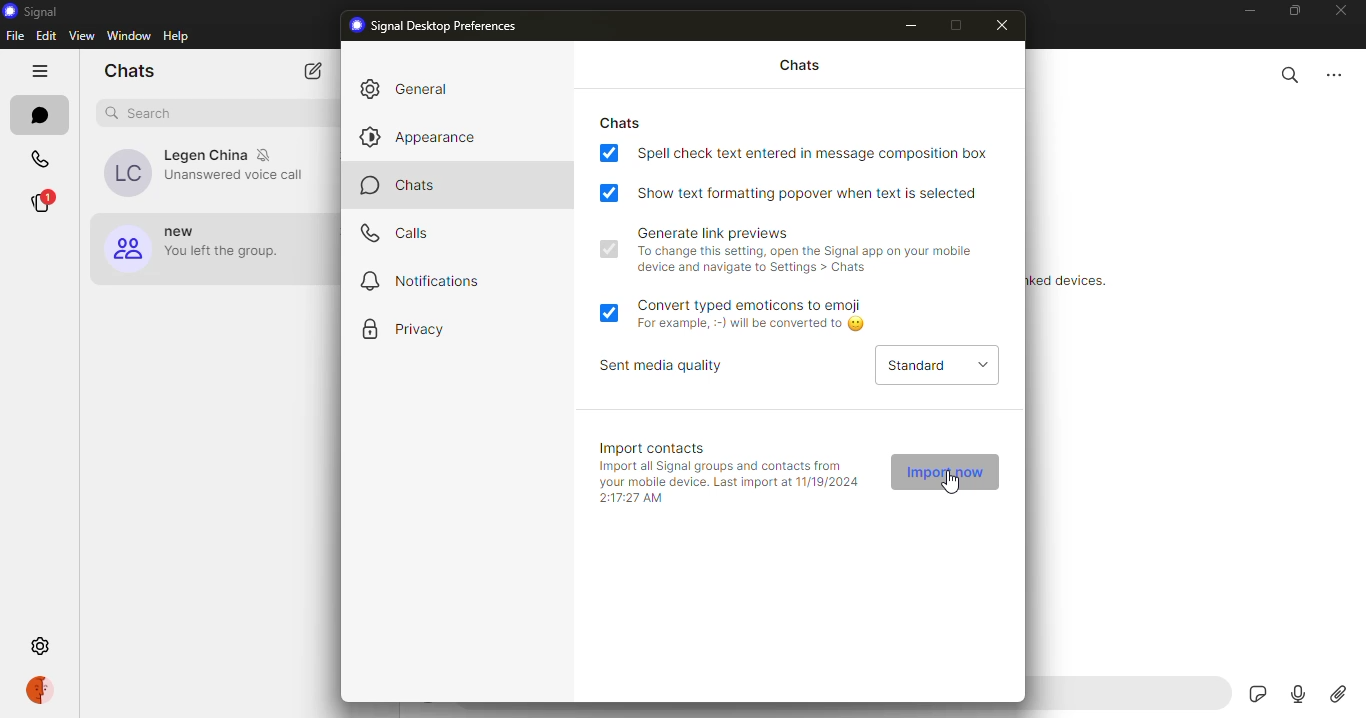 This screenshot has width=1366, height=718. What do you see at coordinates (943, 471) in the screenshot?
I see `import now` at bounding box center [943, 471].